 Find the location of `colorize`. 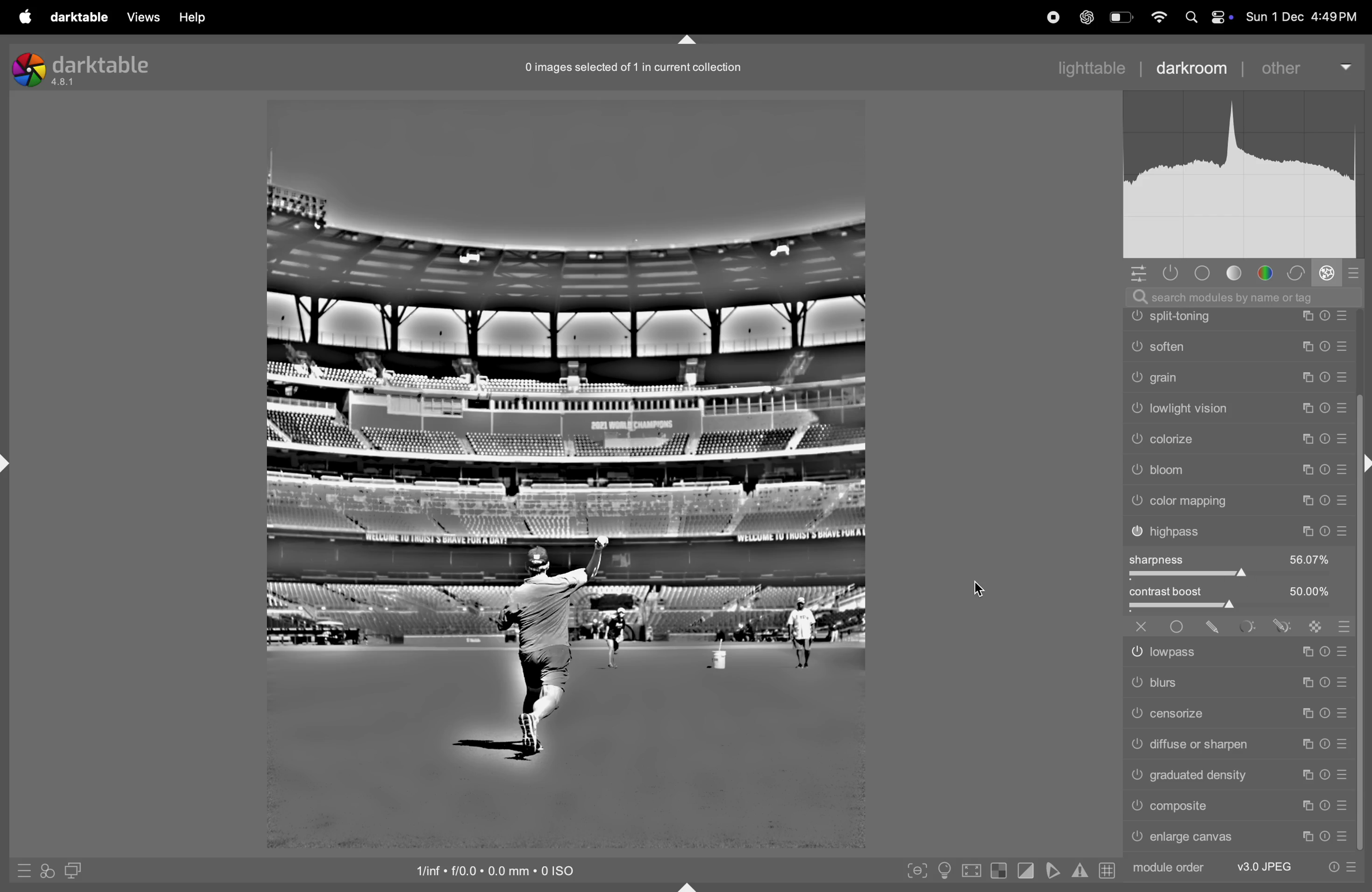

colorize is located at coordinates (1241, 530).